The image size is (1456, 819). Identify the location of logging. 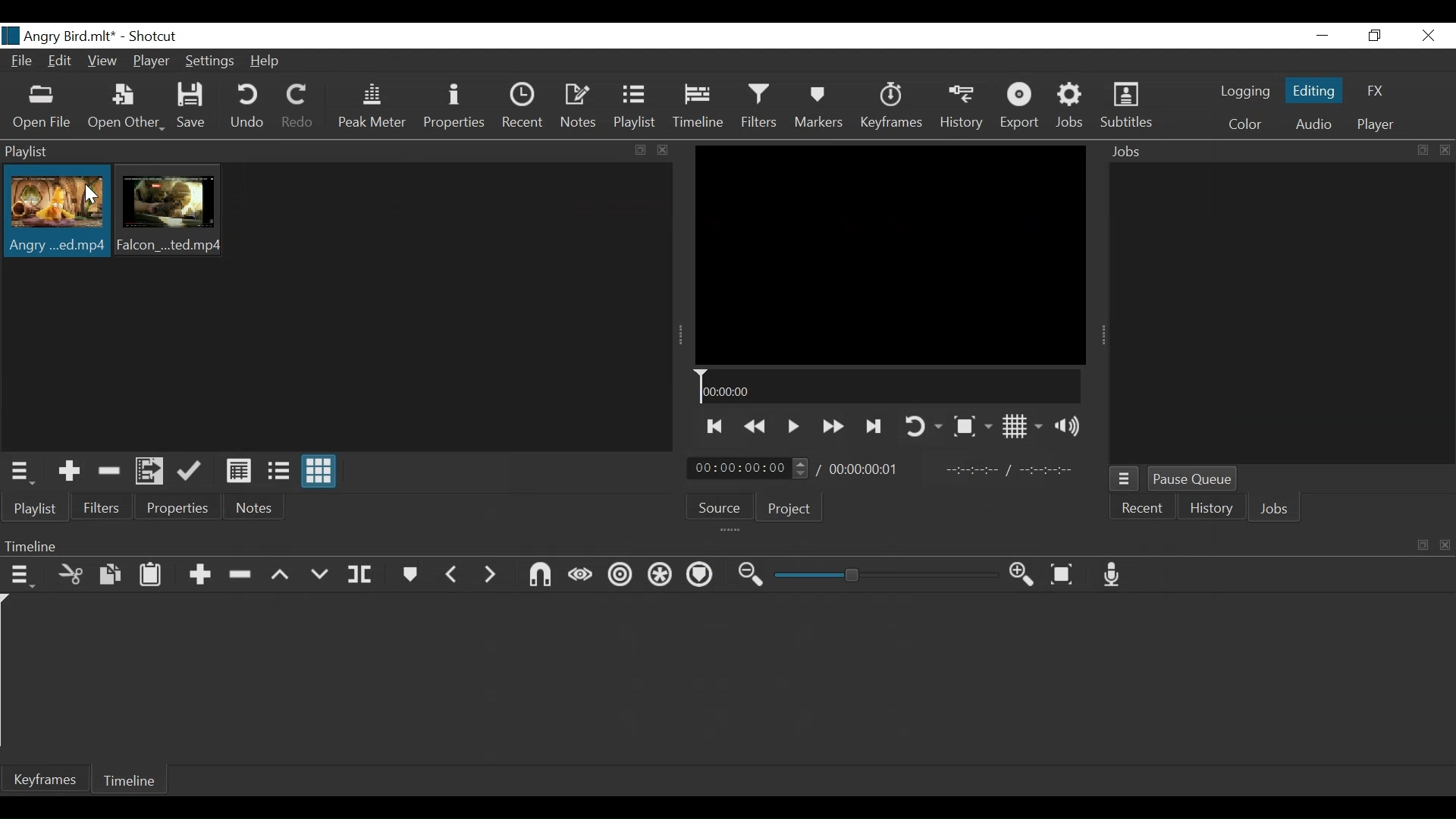
(1245, 93).